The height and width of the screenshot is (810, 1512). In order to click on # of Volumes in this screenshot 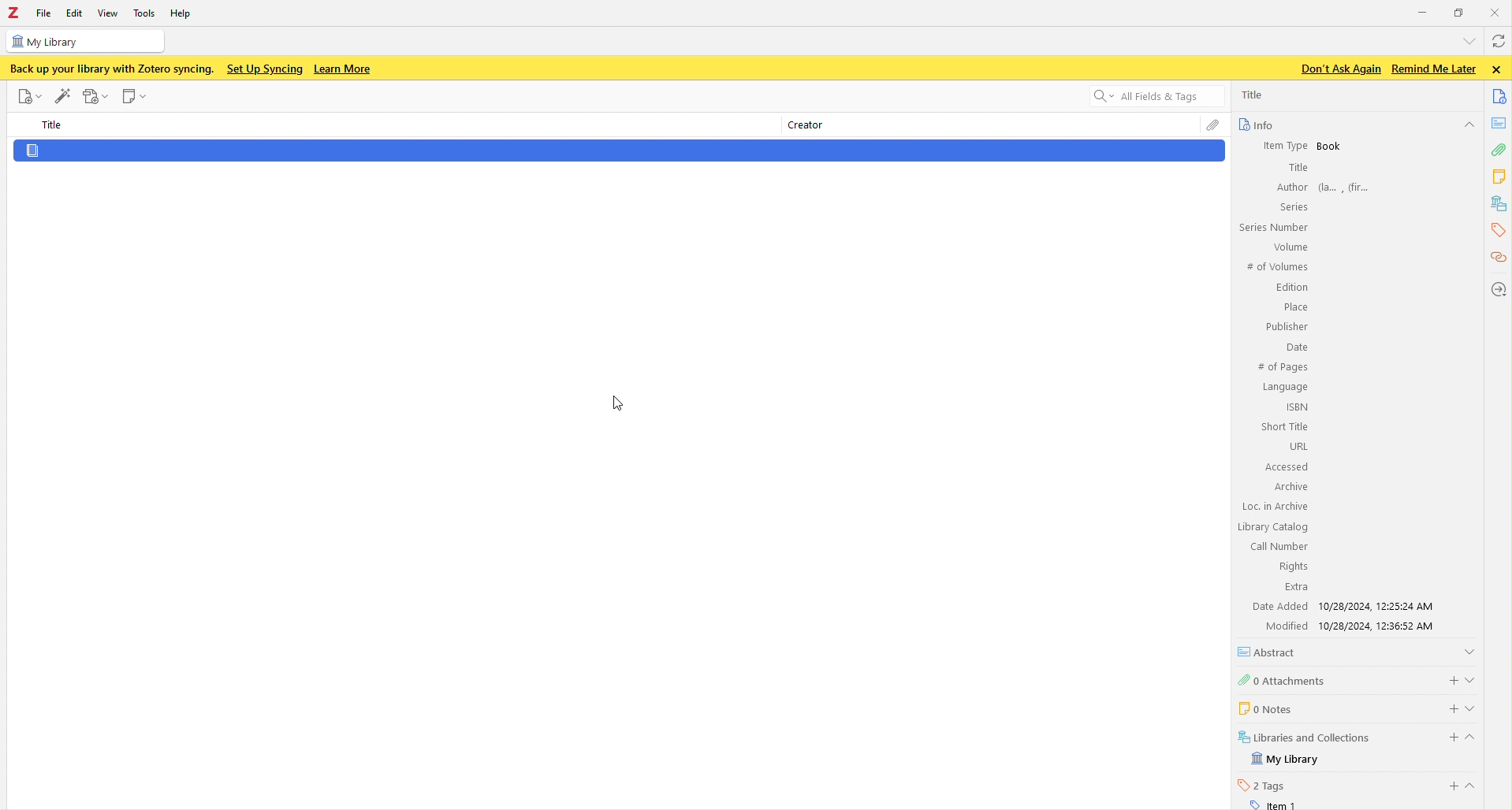, I will do `click(1276, 267)`.